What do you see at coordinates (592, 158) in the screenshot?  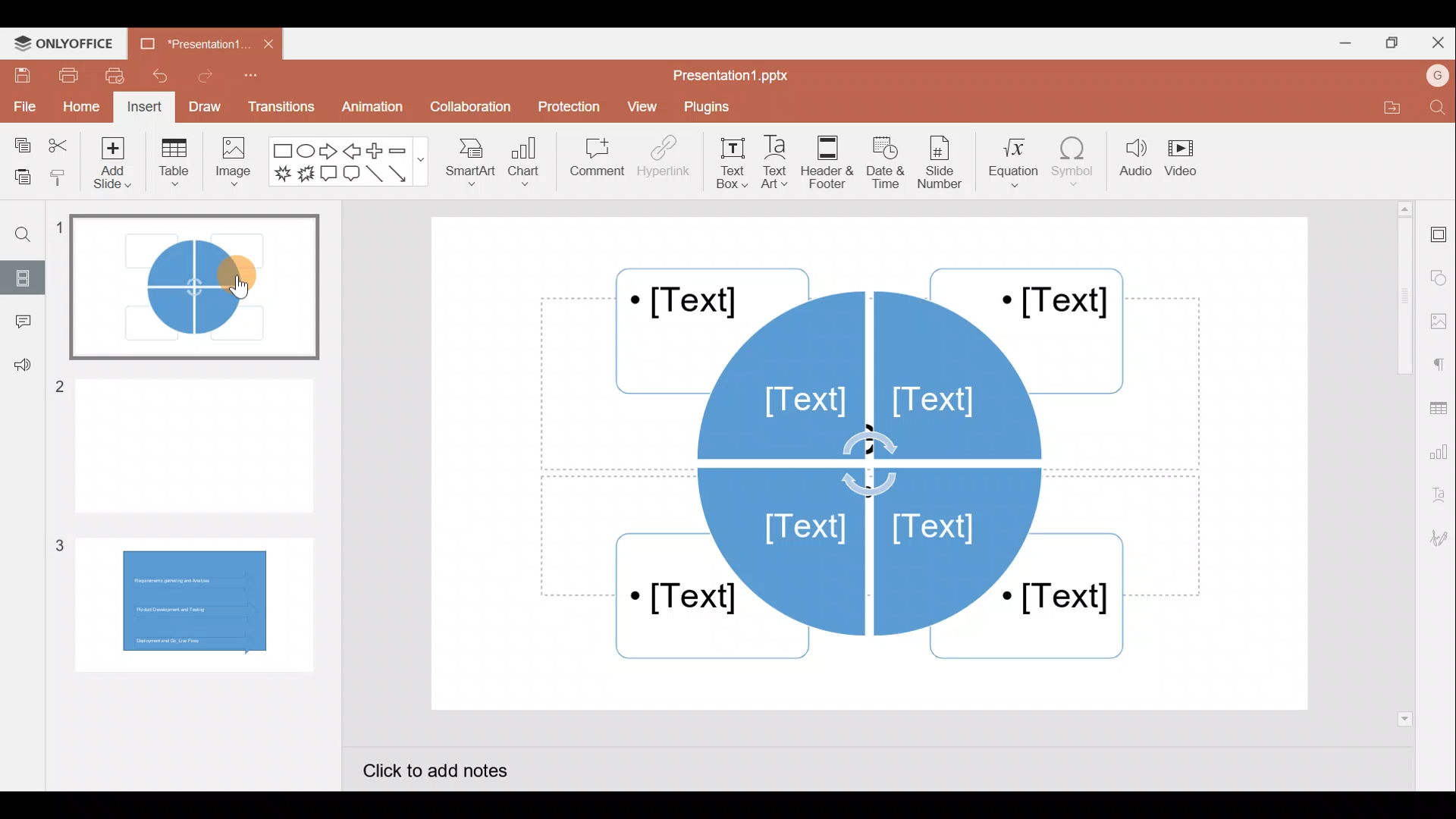 I see `Comment` at bounding box center [592, 158].